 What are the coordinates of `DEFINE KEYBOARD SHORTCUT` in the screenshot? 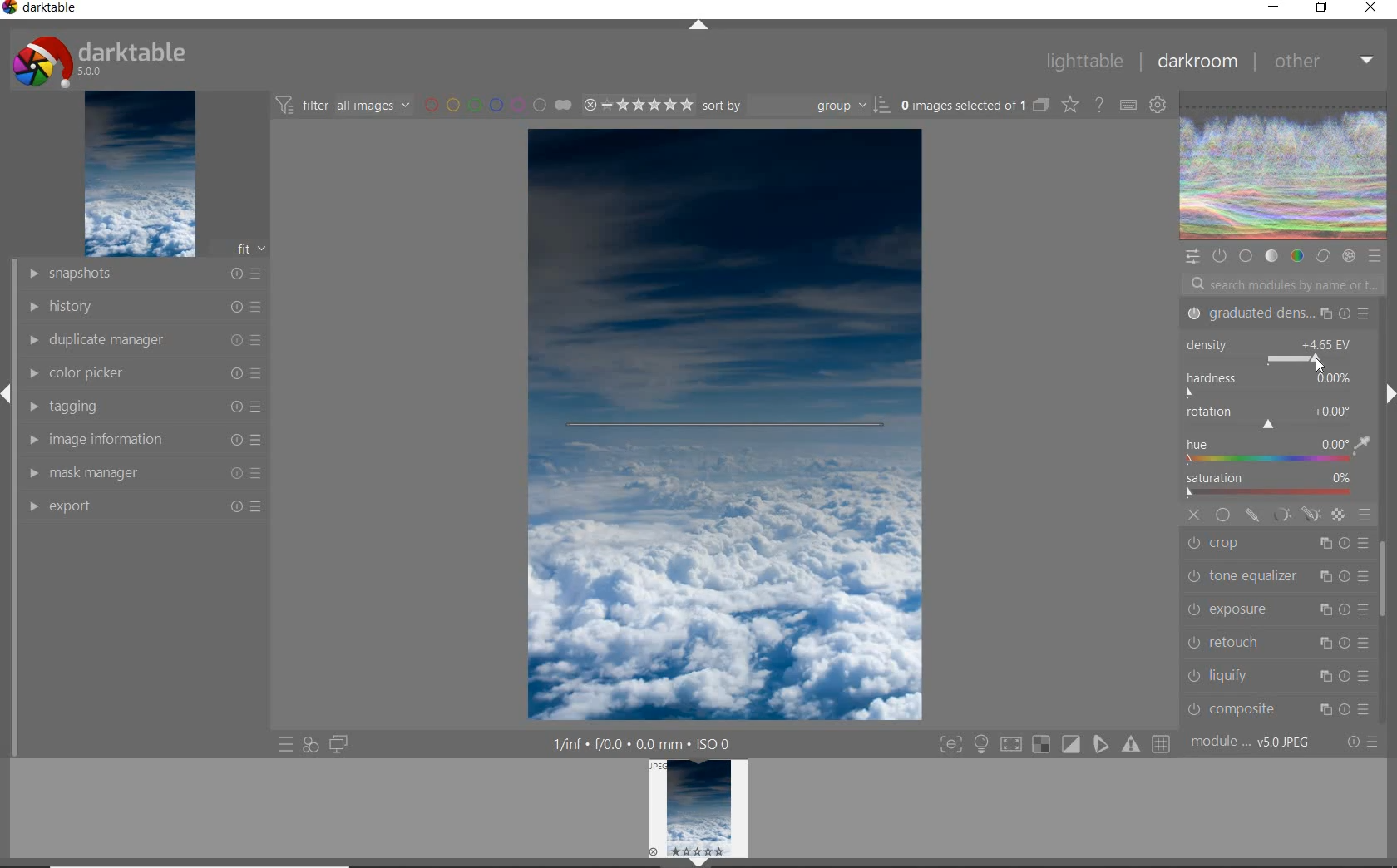 It's located at (1128, 106).